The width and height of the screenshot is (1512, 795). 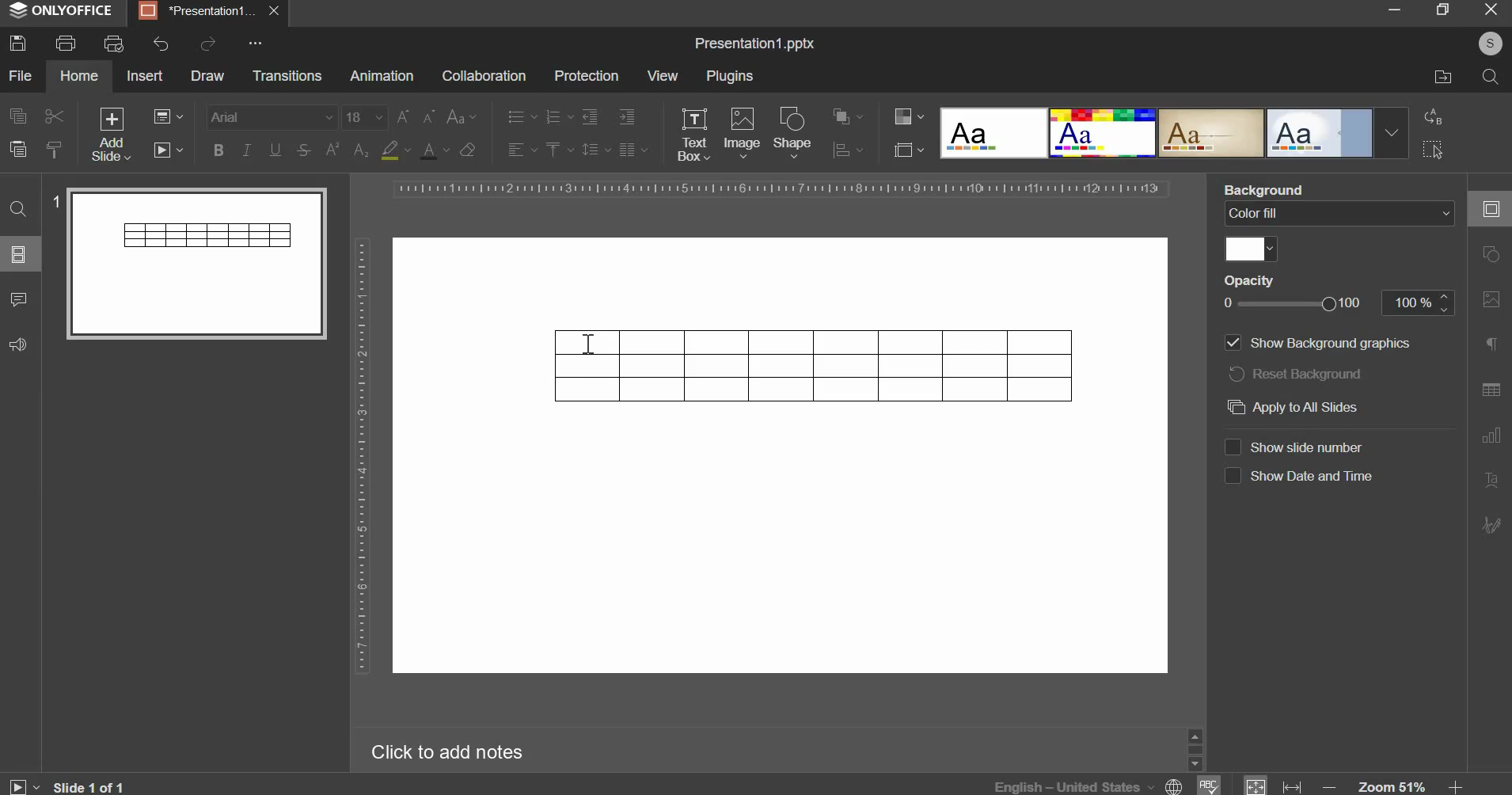 I want to click on save, so click(x=17, y=43).